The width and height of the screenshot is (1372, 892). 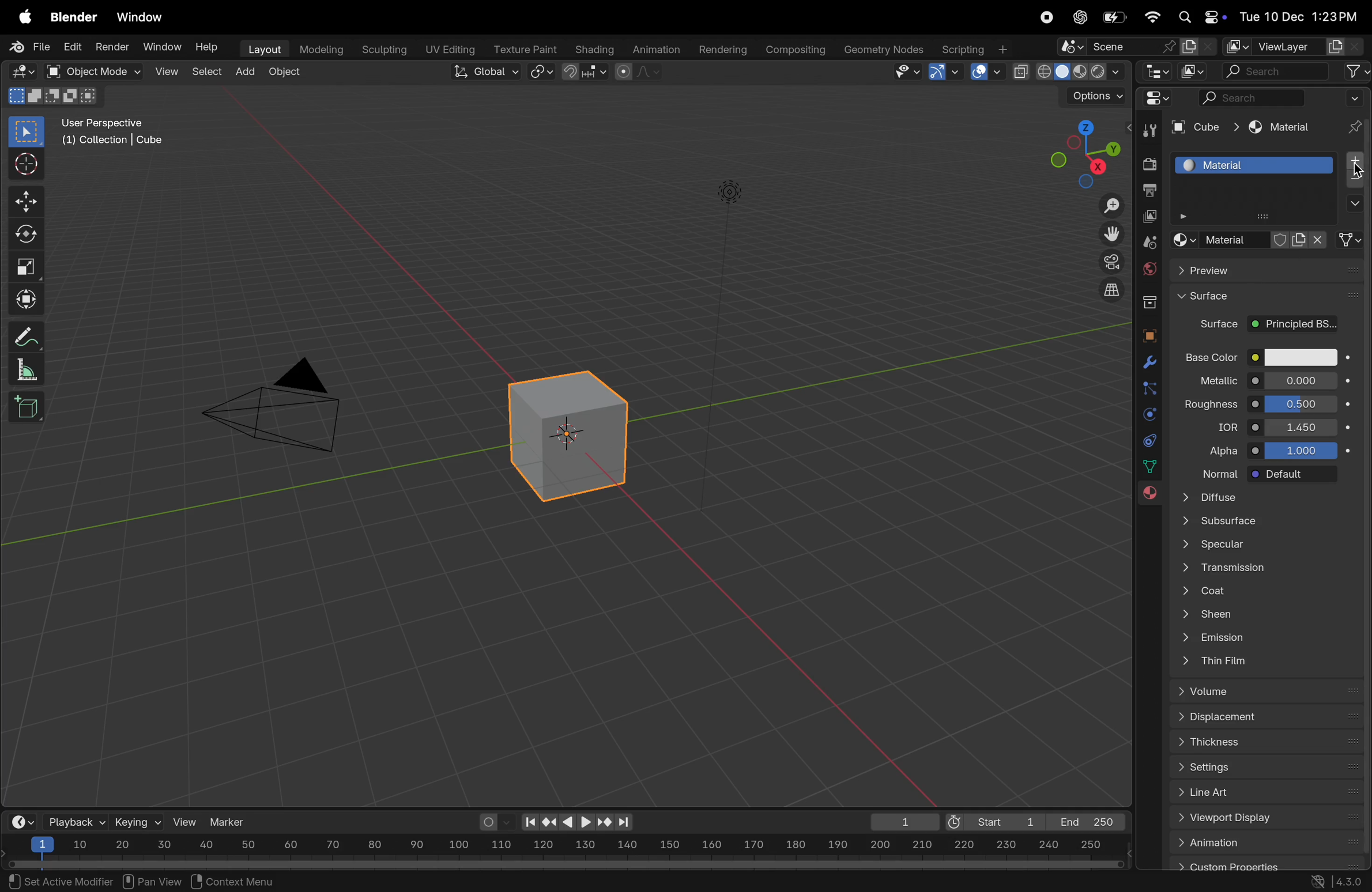 What do you see at coordinates (1223, 454) in the screenshot?
I see `alpha` at bounding box center [1223, 454].